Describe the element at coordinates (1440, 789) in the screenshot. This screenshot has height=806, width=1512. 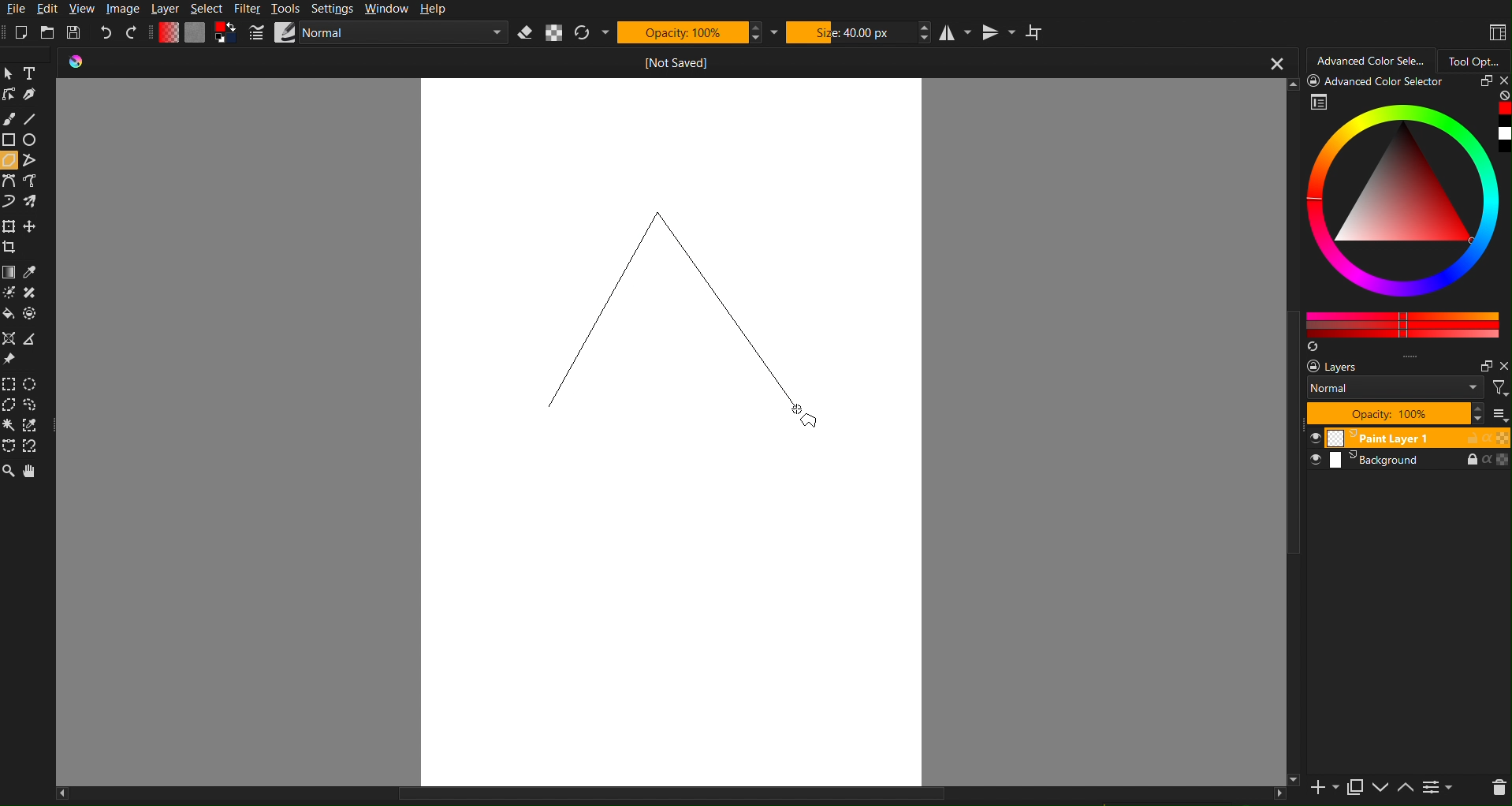
I see `view or change layer properties` at that location.